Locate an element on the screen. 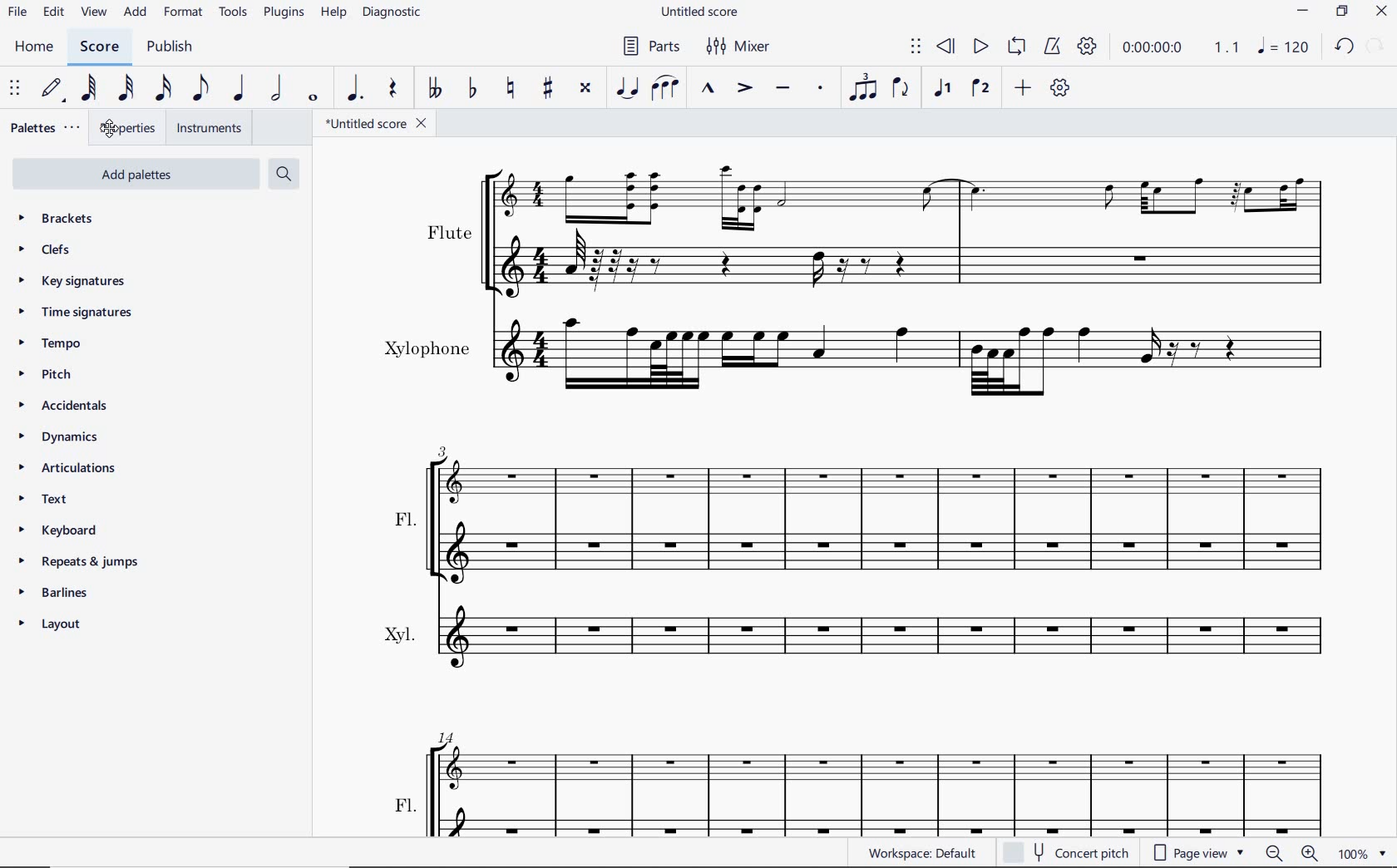 The width and height of the screenshot is (1397, 868). SELECT TO MOVE is located at coordinates (15, 90).